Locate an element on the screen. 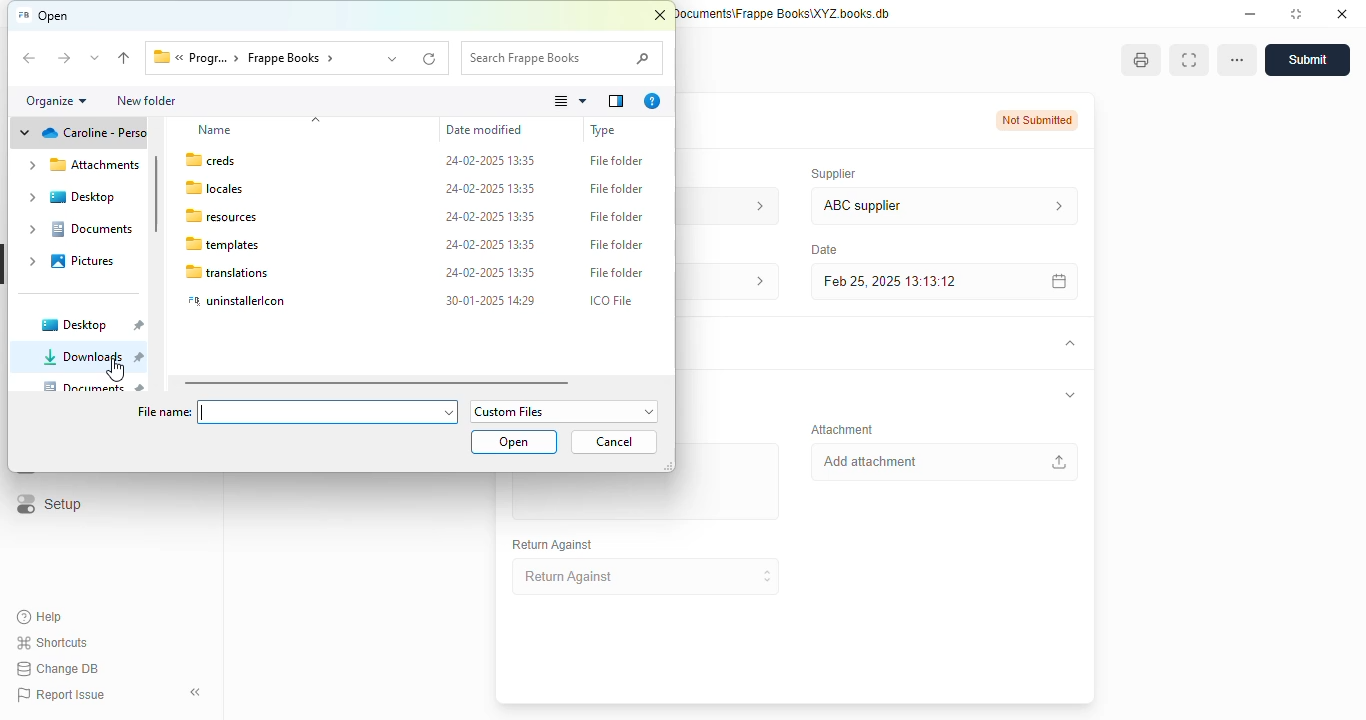 The width and height of the screenshot is (1366, 720). ICO File is located at coordinates (612, 301).